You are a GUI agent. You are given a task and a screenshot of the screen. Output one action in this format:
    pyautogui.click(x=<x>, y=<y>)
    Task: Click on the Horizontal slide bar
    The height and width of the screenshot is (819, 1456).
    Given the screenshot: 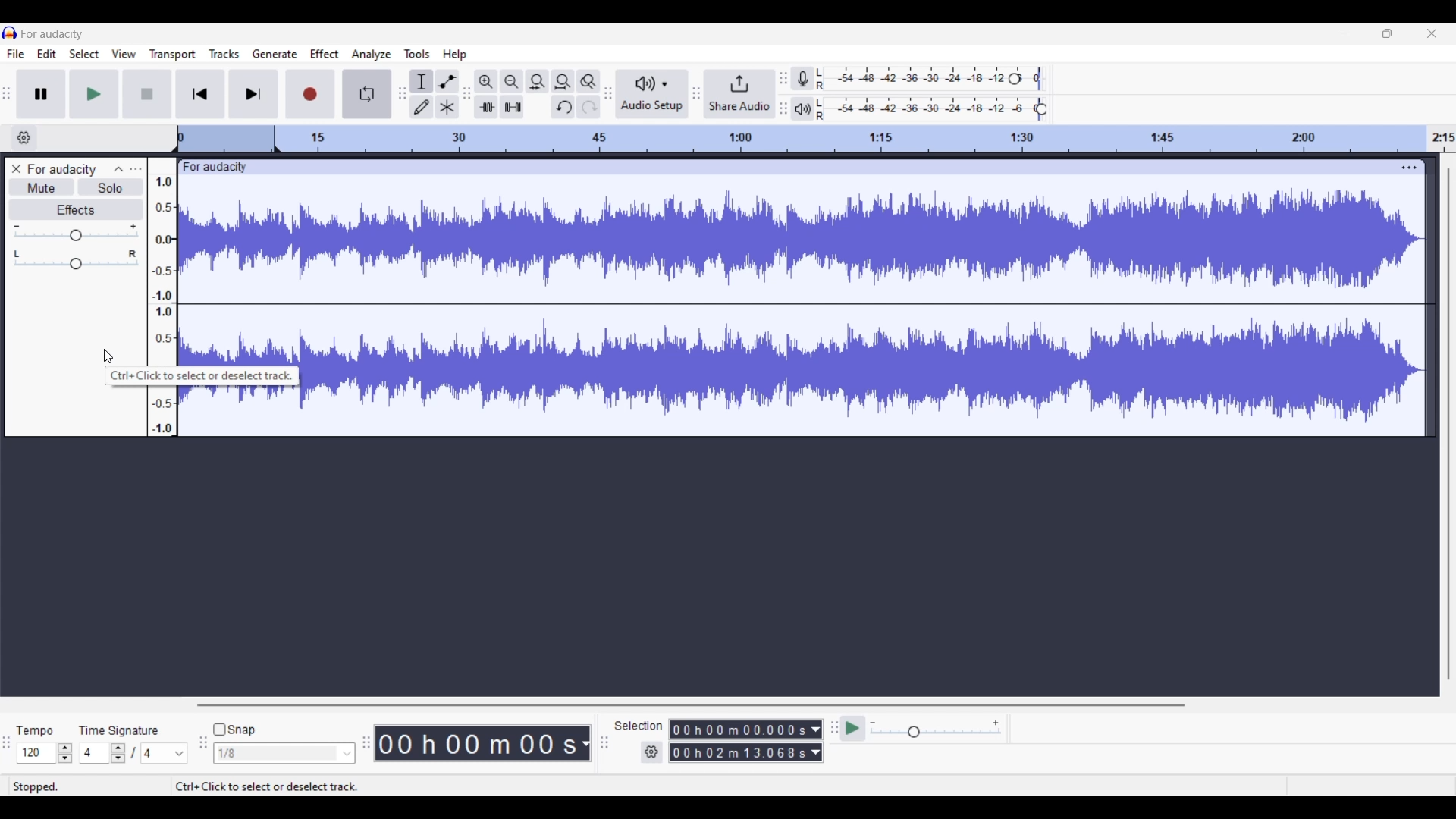 What is the action you would take?
    pyautogui.click(x=691, y=705)
    